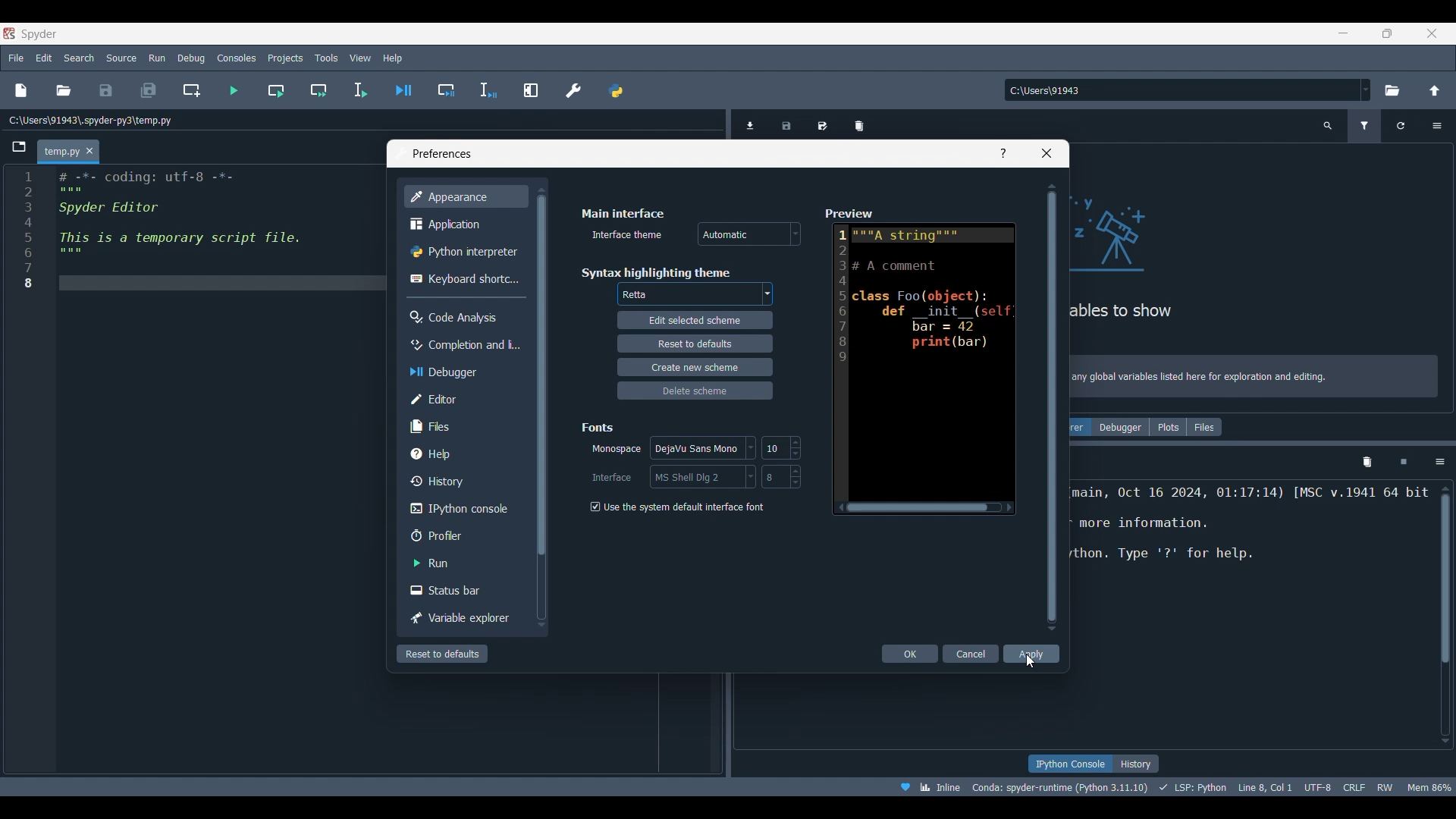 The image size is (1456, 819). I want to click on Run selection or current line, so click(359, 90).